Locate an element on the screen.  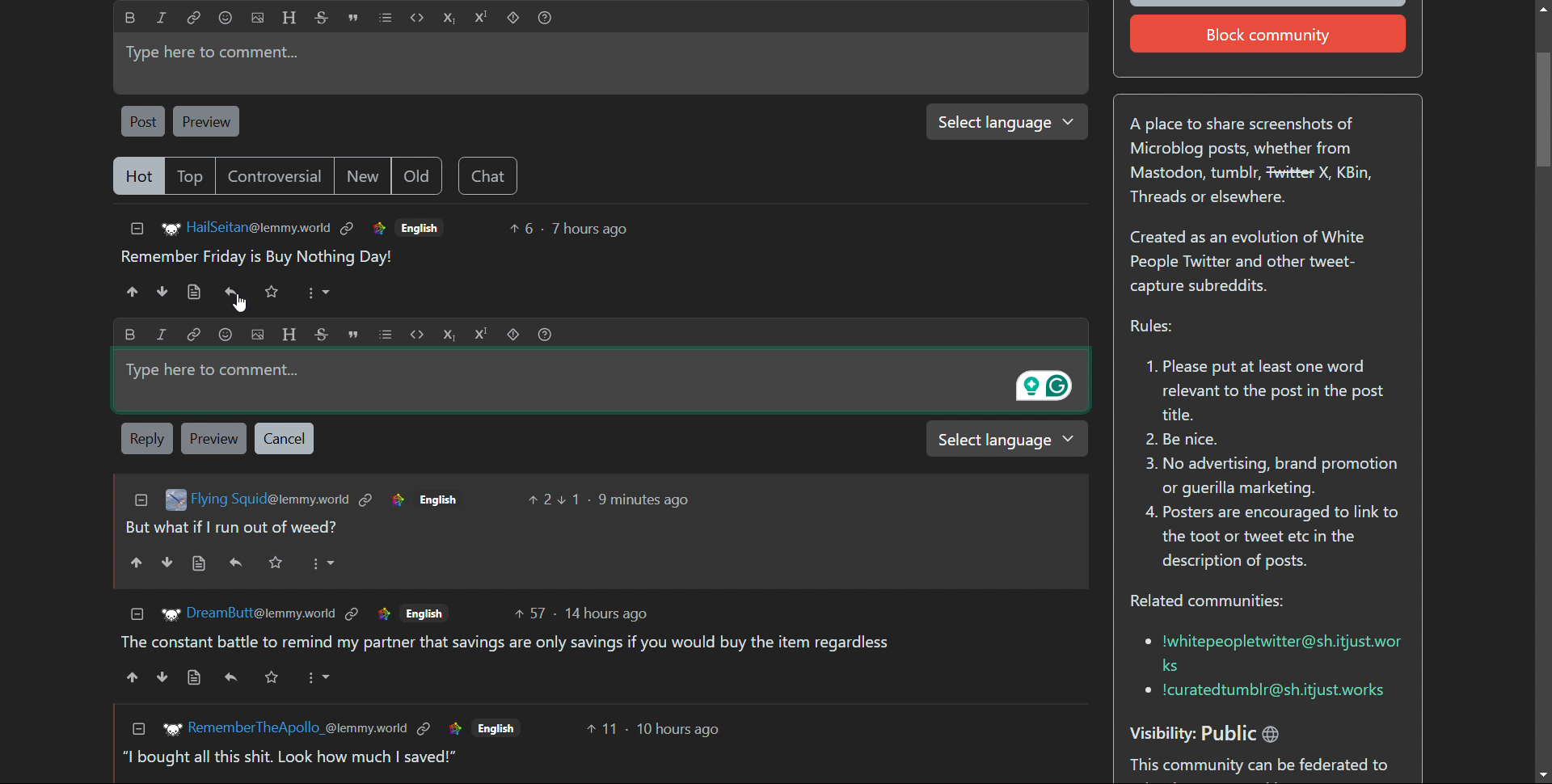
subscript is located at coordinates (449, 18).